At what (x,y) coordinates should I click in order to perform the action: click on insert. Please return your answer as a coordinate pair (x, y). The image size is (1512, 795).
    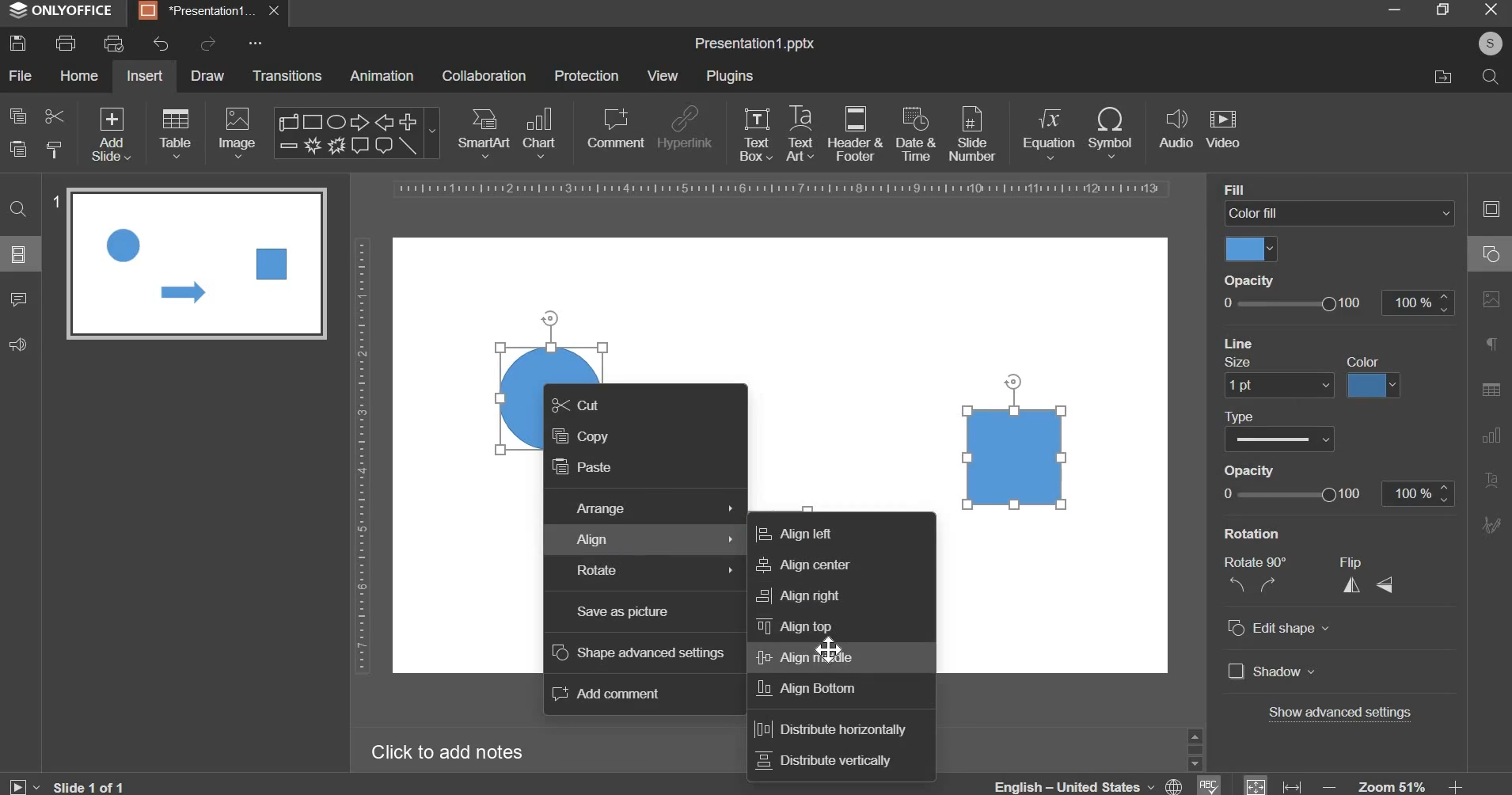
    Looking at the image, I should click on (145, 75).